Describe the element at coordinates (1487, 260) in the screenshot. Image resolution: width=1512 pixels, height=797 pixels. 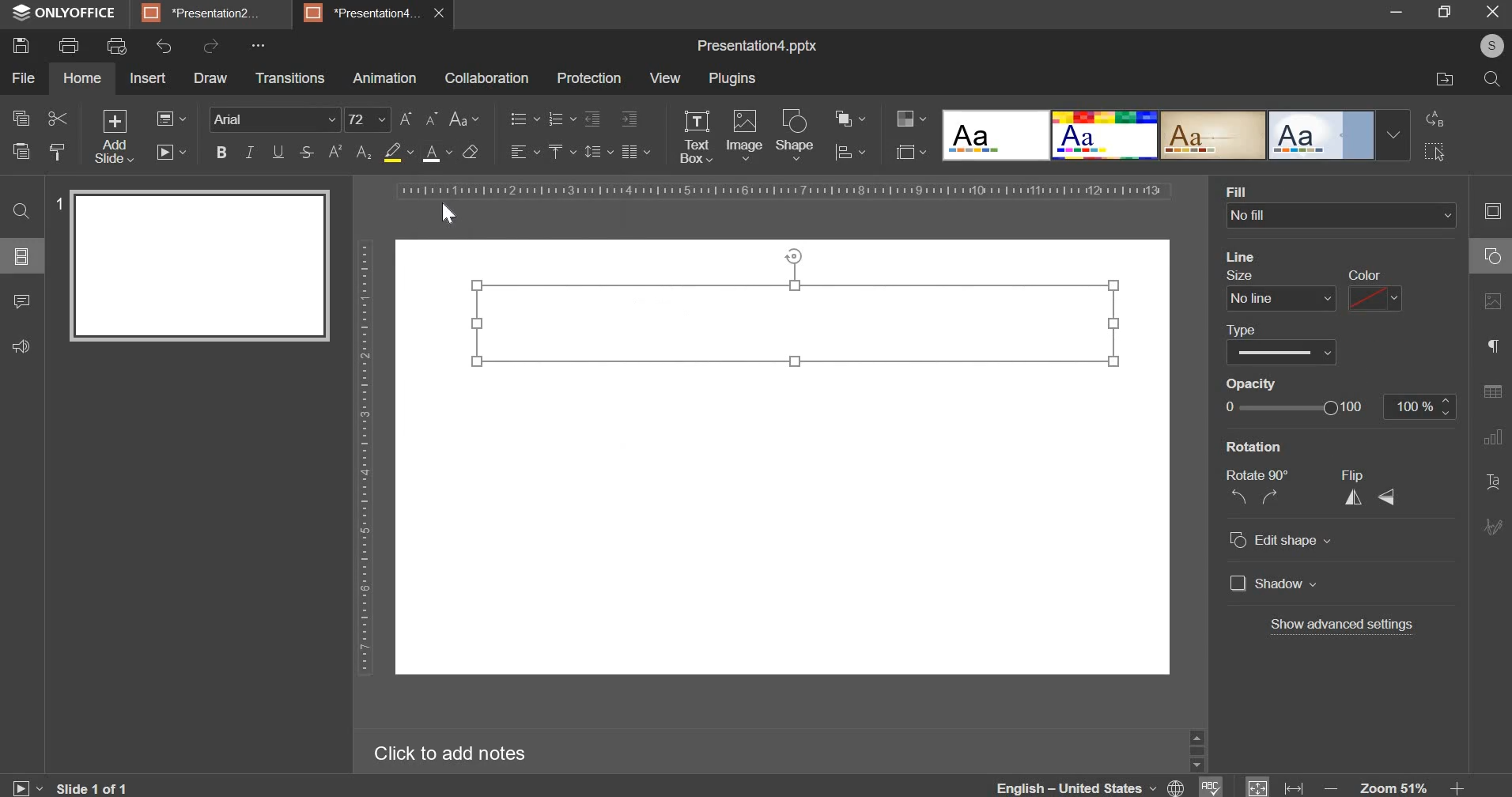
I see `shapes` at that location.